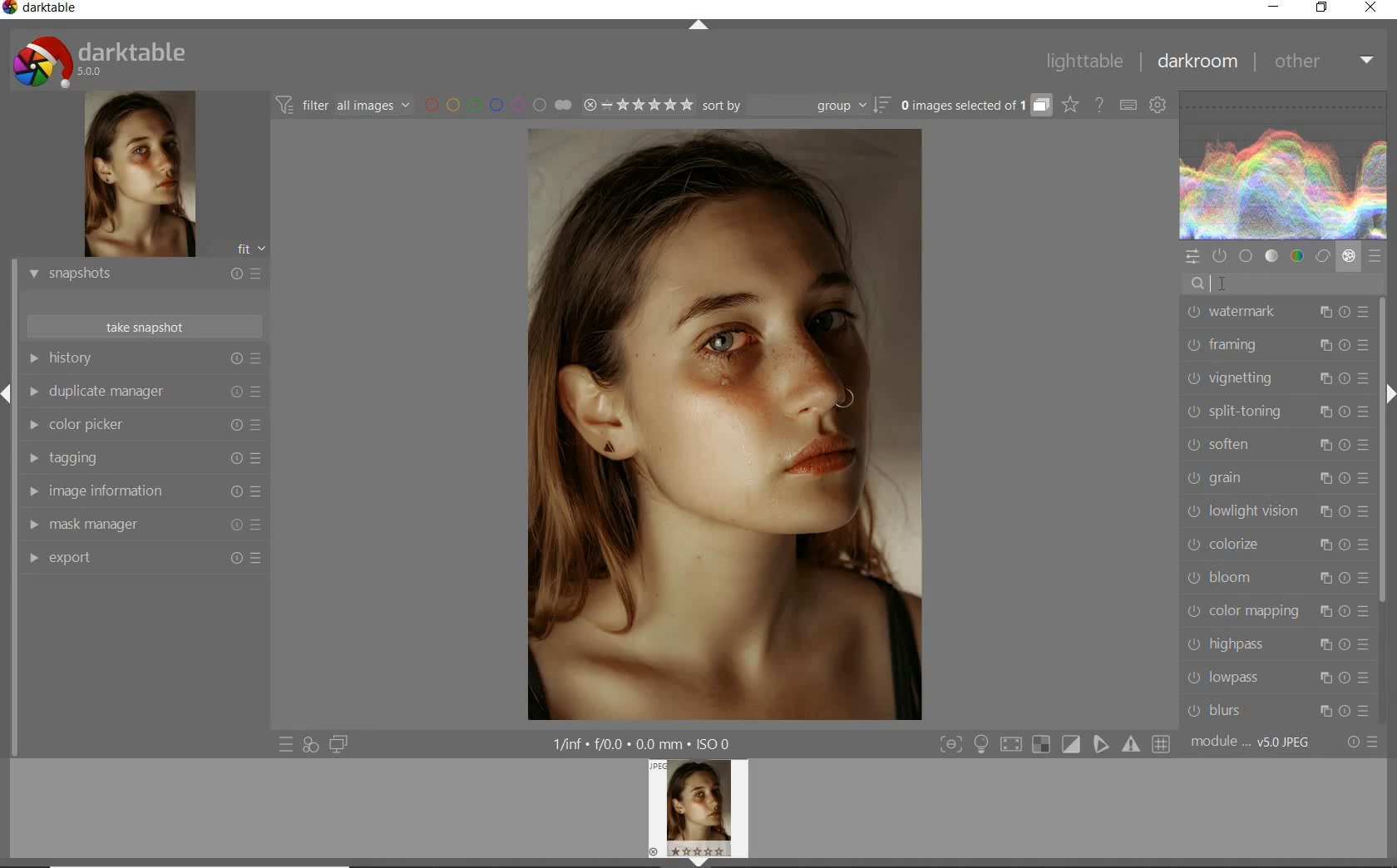  What do you see at coordinates (698, 27) in the screenshot?
I see `expand/collapse` at bounding box center [698, 27].